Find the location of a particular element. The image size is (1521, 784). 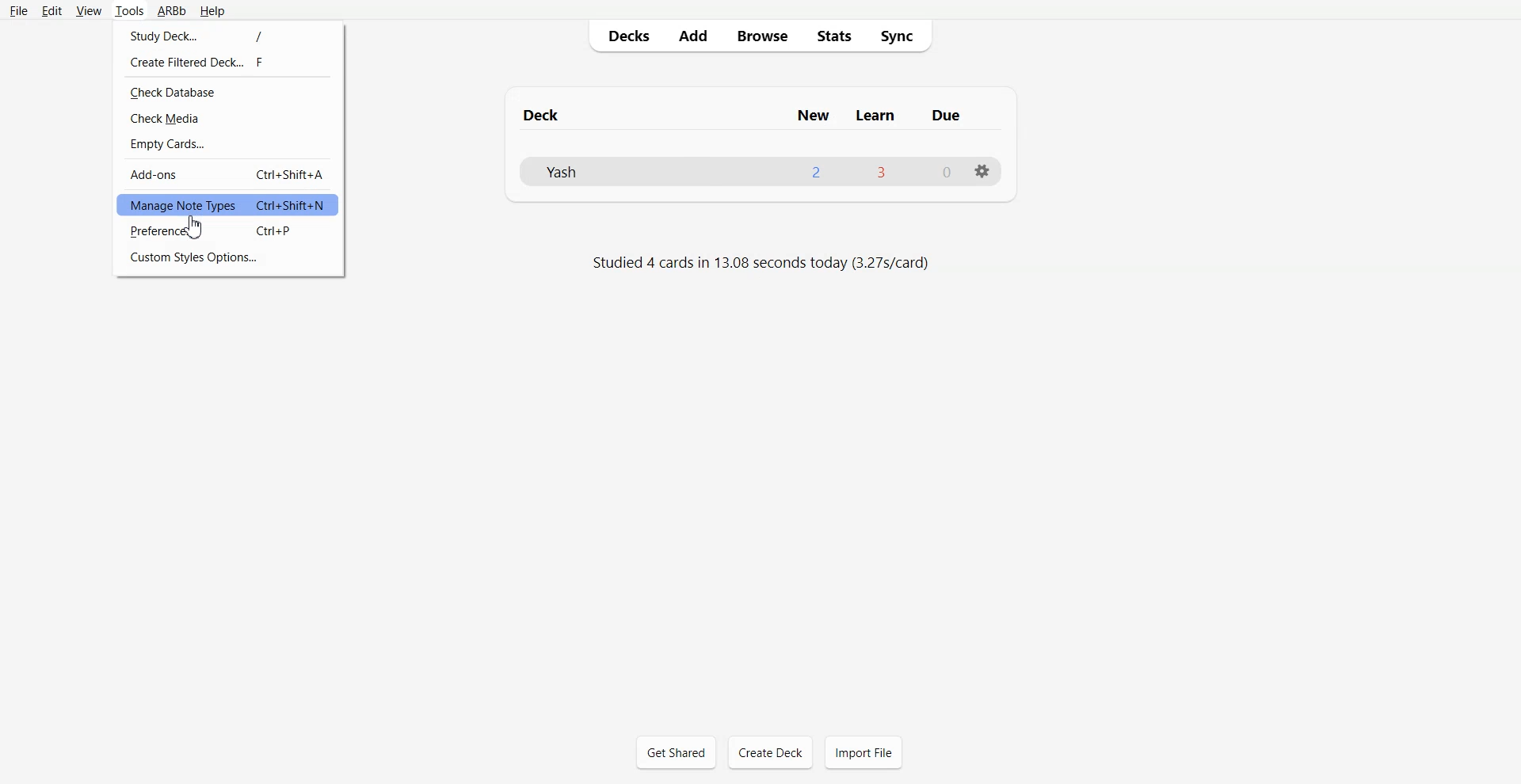

Check Database is located at coordinates (227, 92).